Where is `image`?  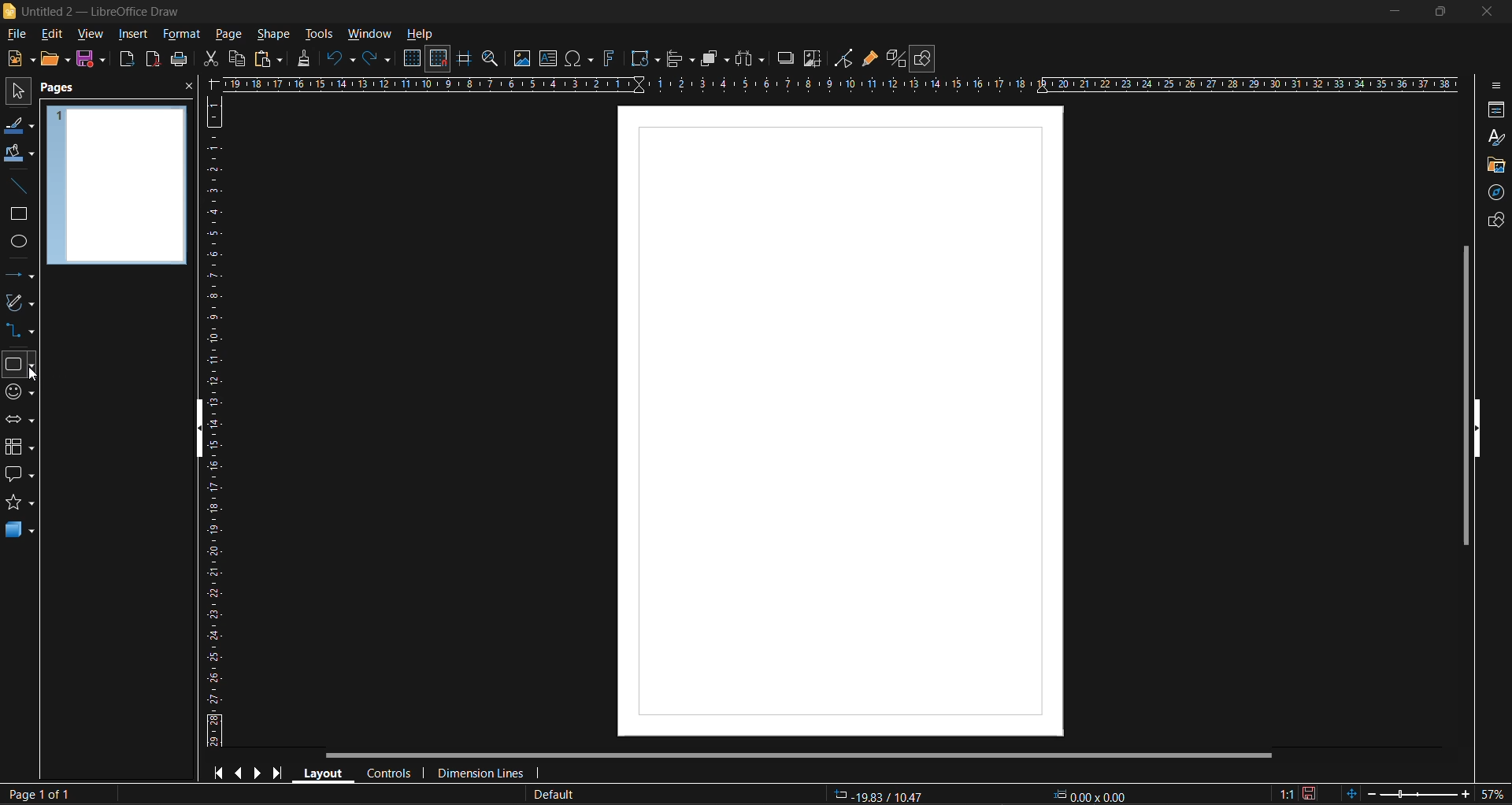
image is located at coordinates (521, 58).